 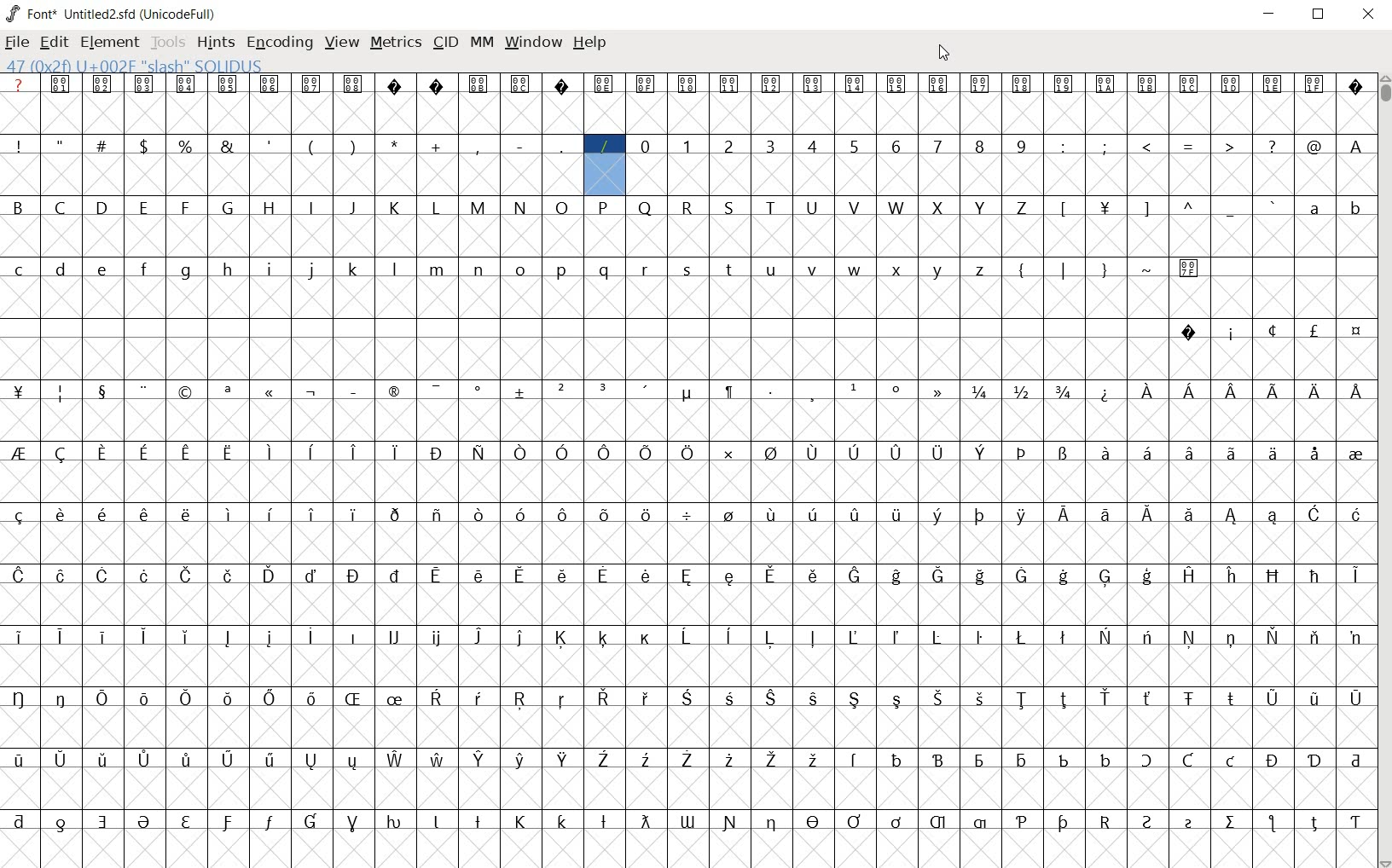 What do you see at coordinates (1357, 391) in the screenshot?
I see `glyph` at bounding box center [1357, 391].